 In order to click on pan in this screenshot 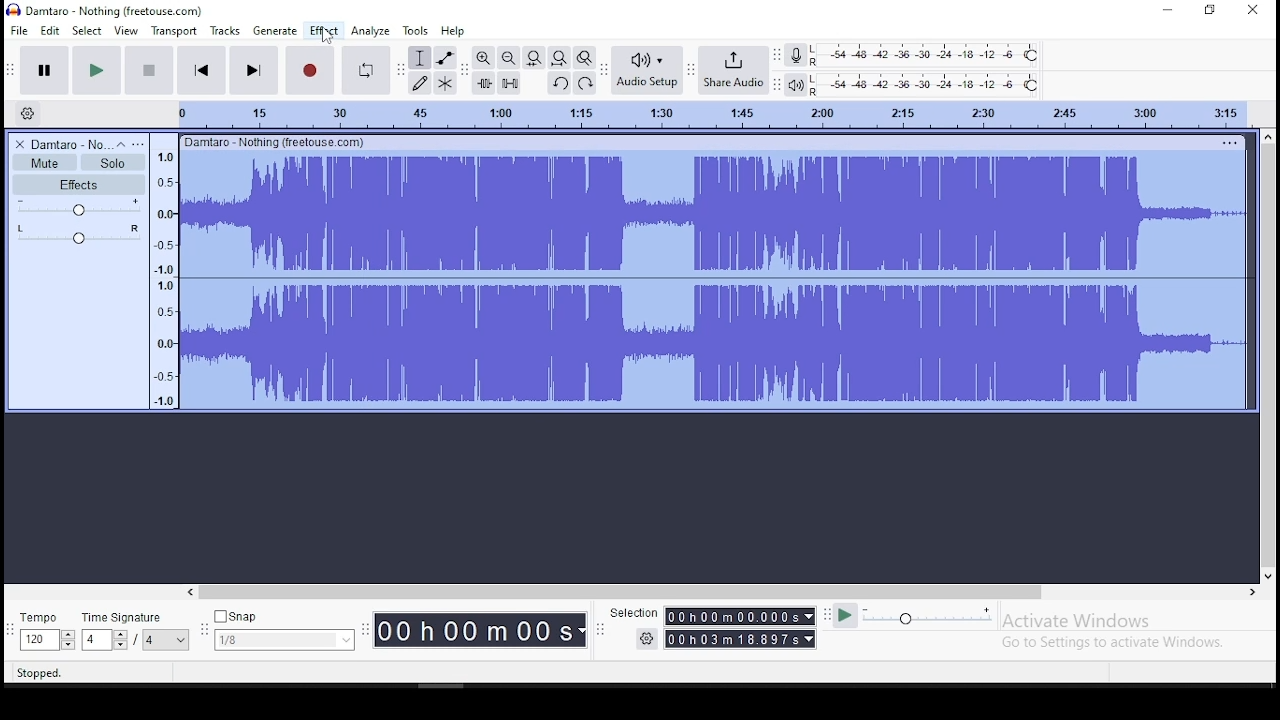, I will do `click(78, 233)`.